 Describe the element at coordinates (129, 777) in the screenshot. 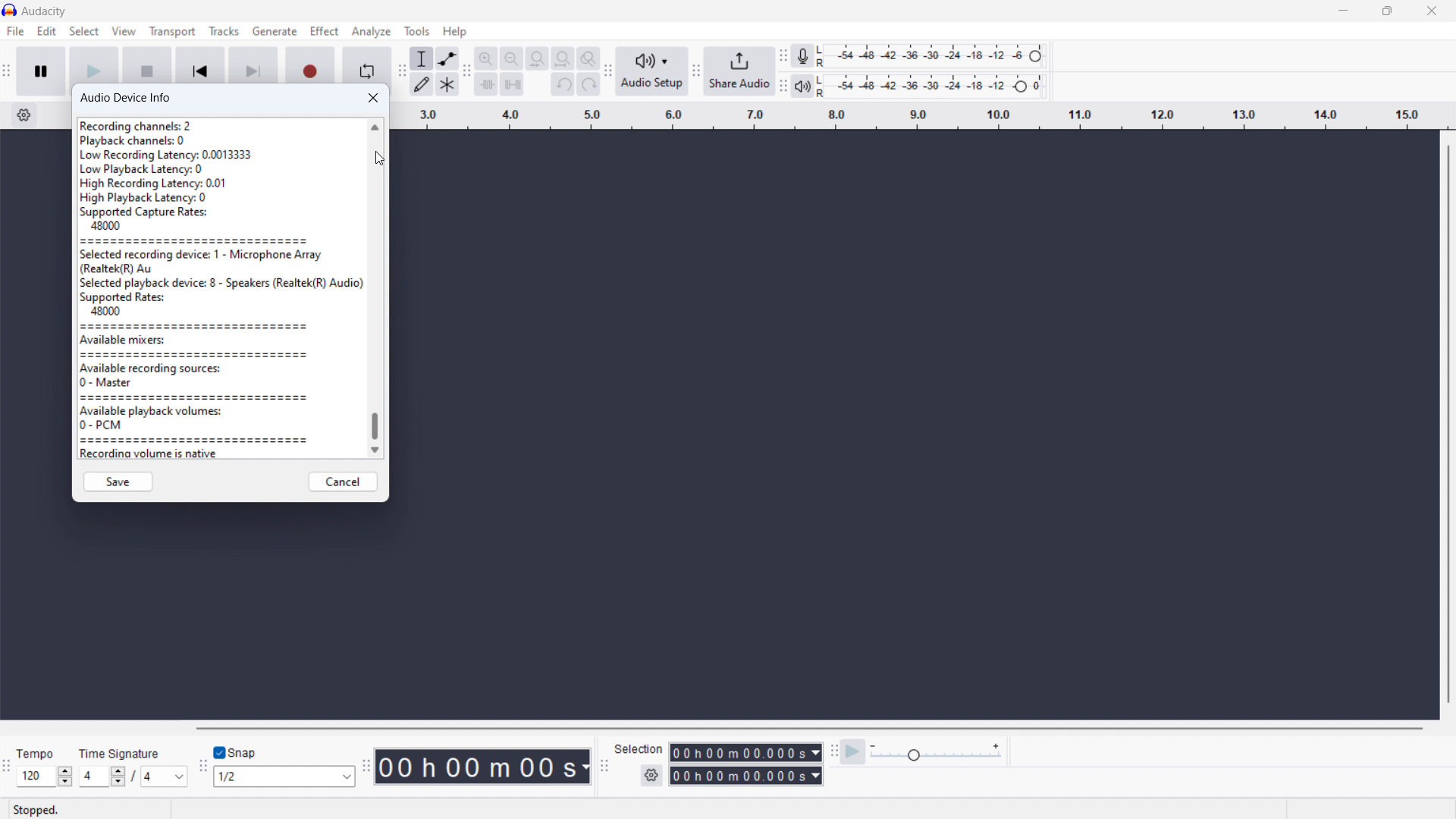

I see `set time signature` at that location.